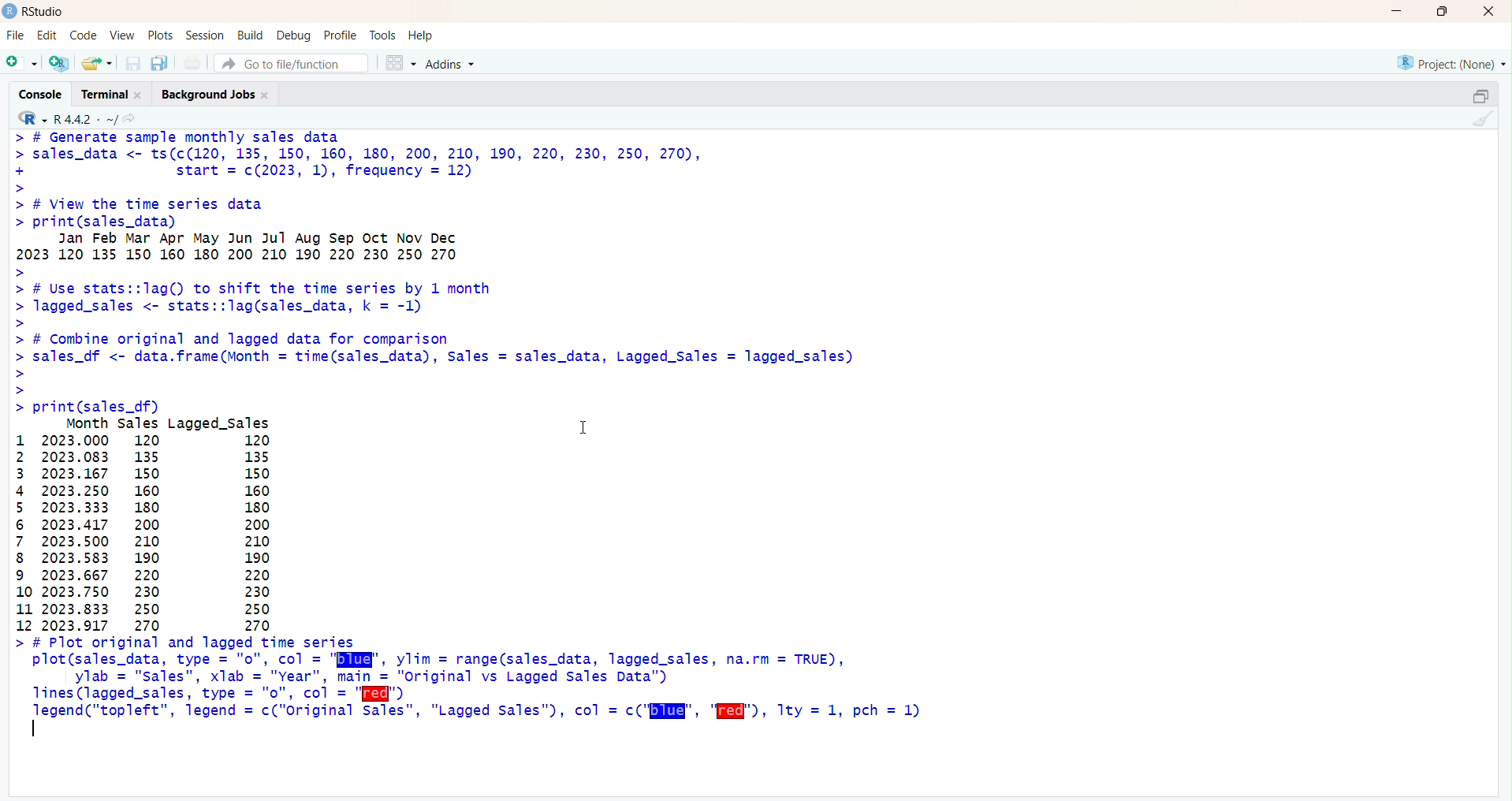 Image resolution: width=1512 pixels, height=801 pixels. Describe the element at coordinates (20, 63) in the screenshot. I see `new script` at that location.